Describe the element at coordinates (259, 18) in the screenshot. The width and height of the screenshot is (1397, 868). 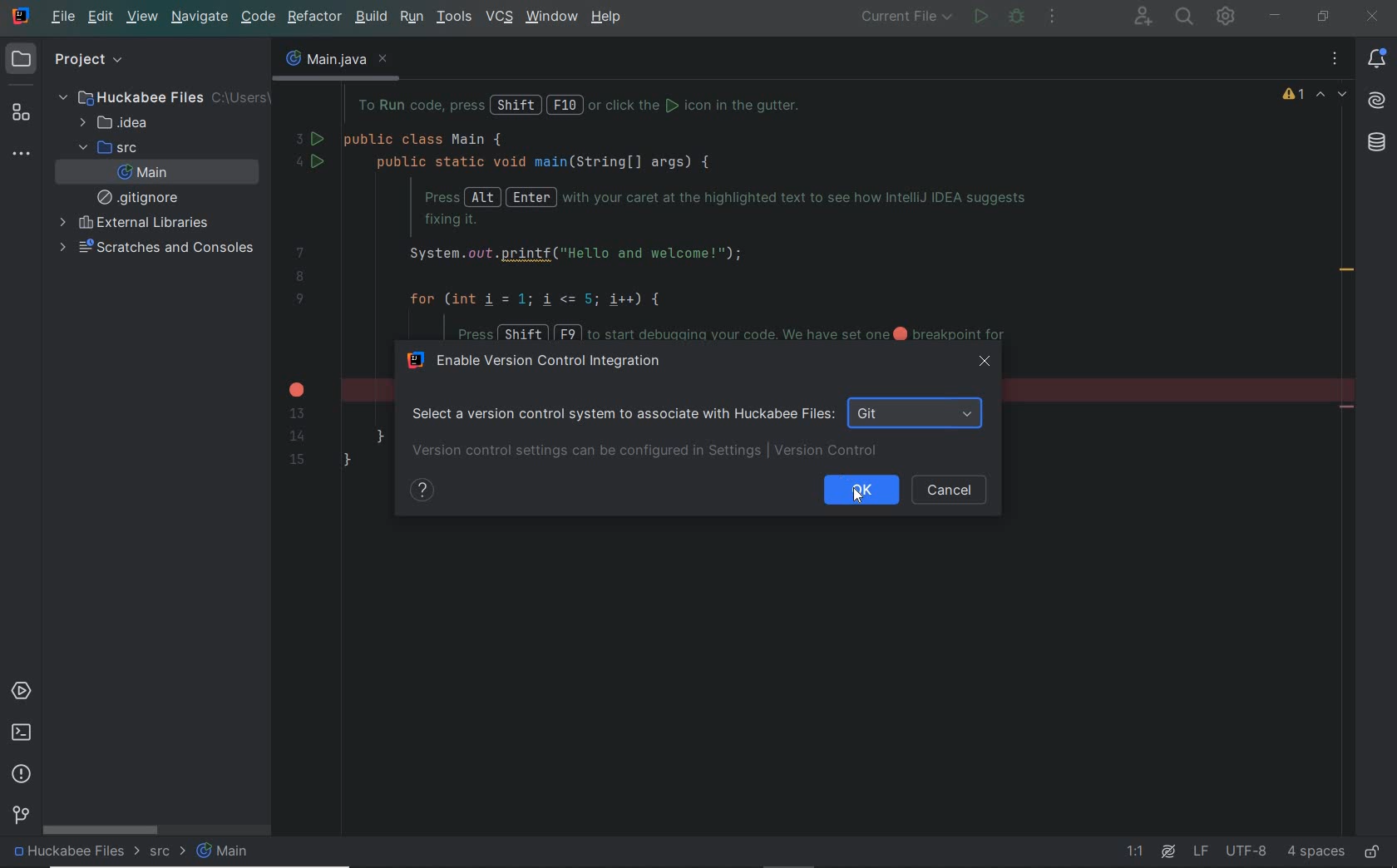
I see `code` at that location.